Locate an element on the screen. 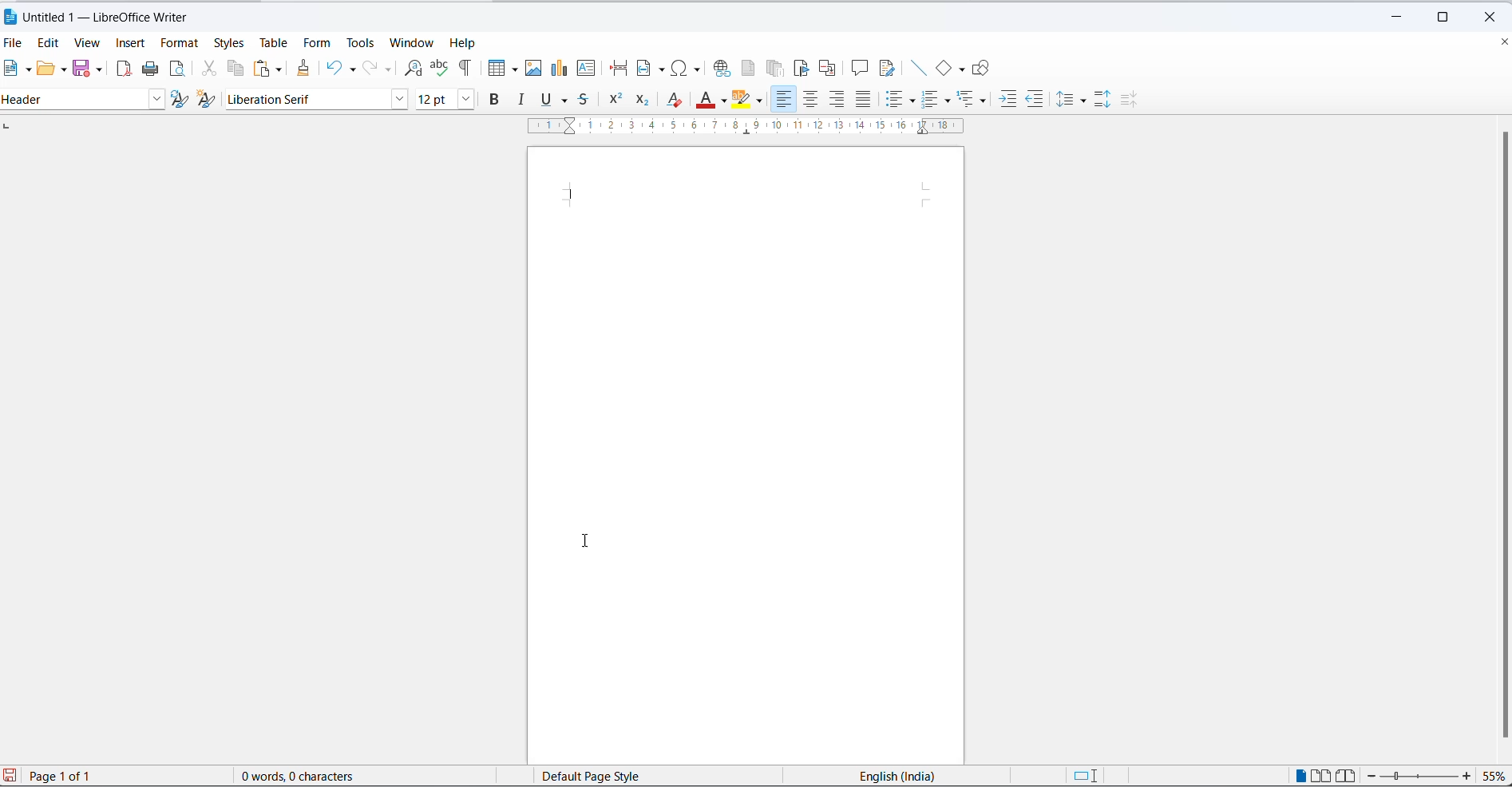 This screenshot has height=787, width=1512. save is located at coordinates (10, 774).